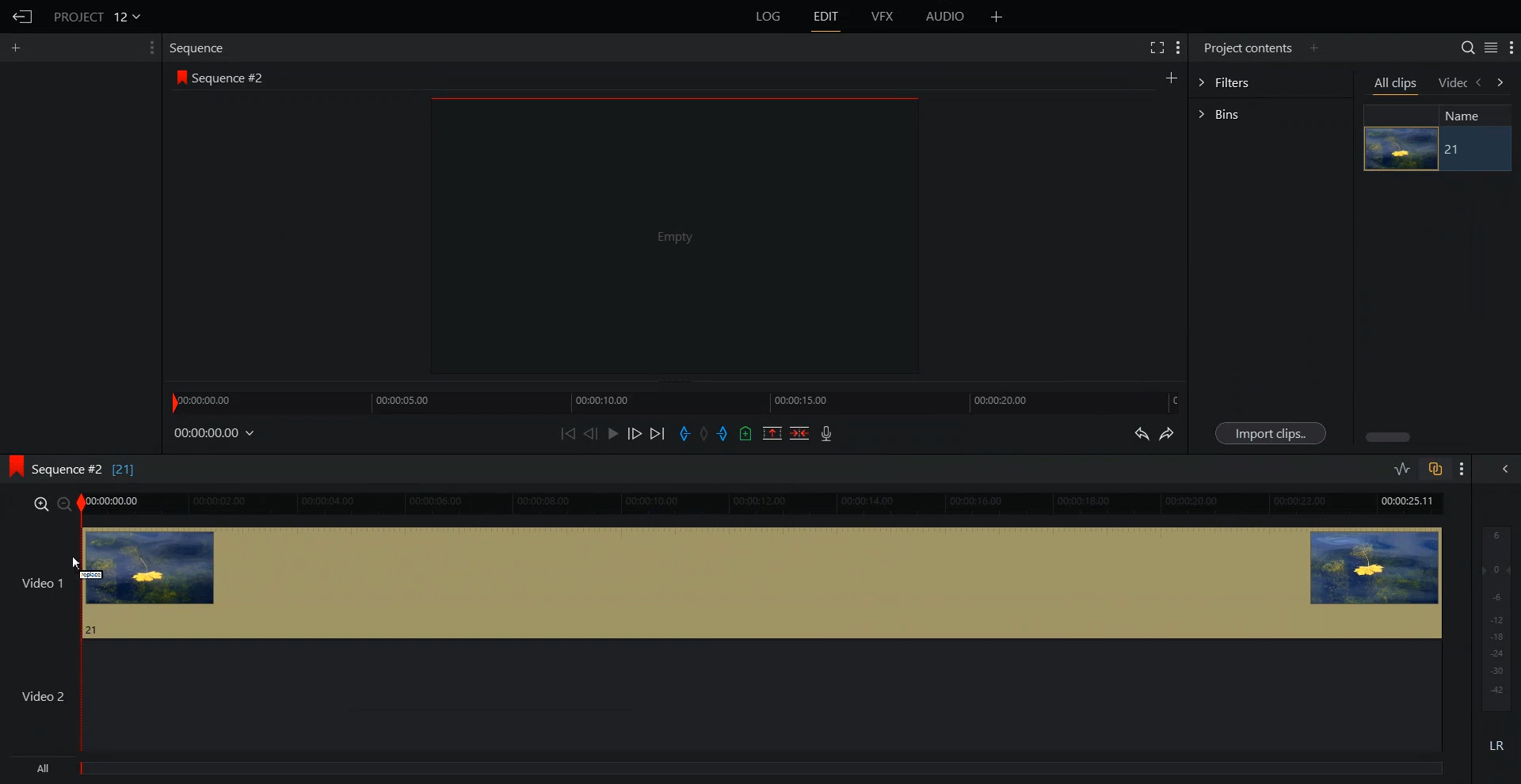 The height and width of the screenshot is (784, 1521). Describe the element at coordinates (1248, 47) in the screenshot. I see `Project Contents` at that location.